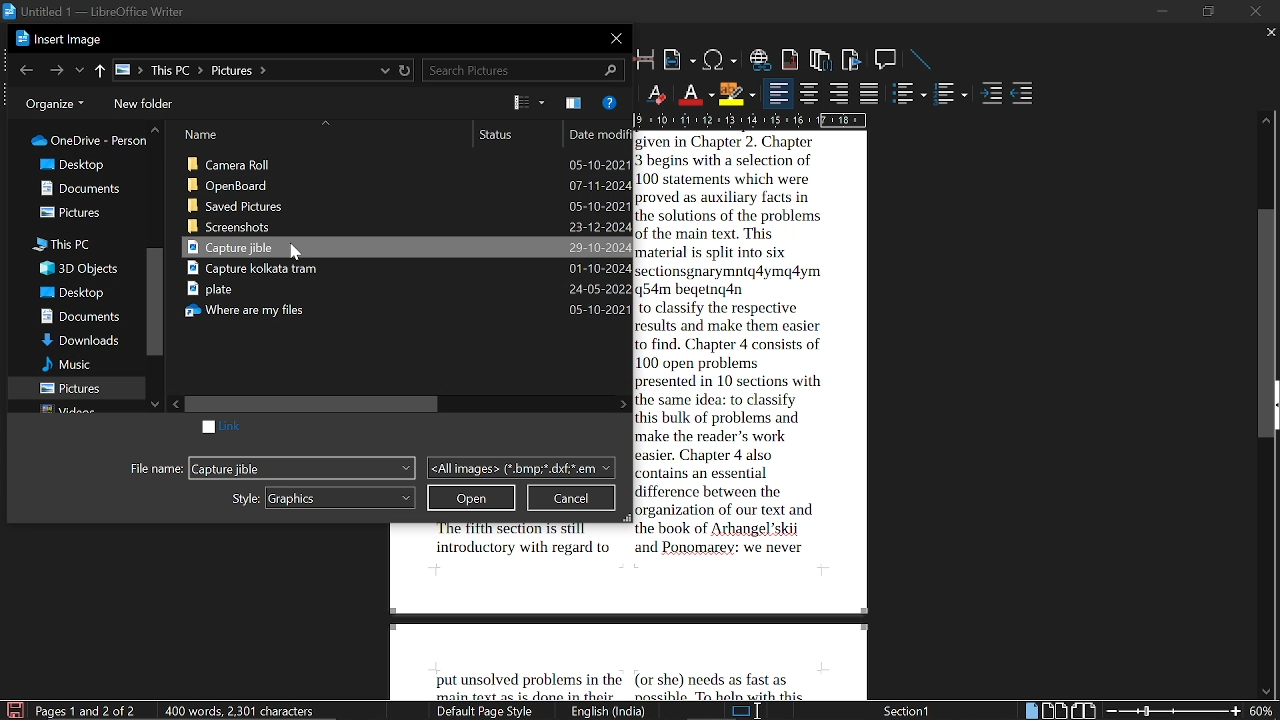  I want to click on insert hyperlink, so click(761, 61).